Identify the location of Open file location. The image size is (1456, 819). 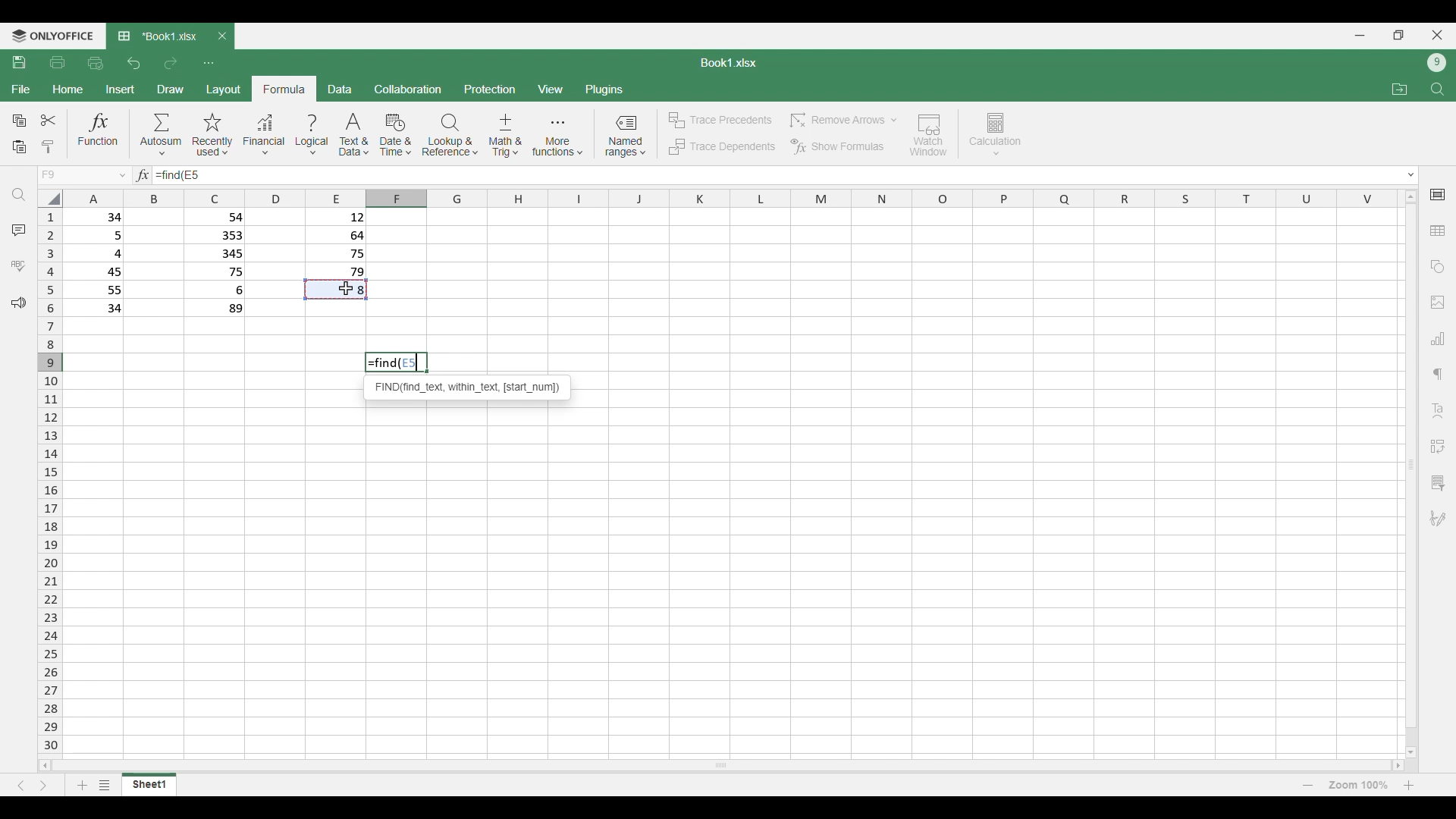
(1400, 89).